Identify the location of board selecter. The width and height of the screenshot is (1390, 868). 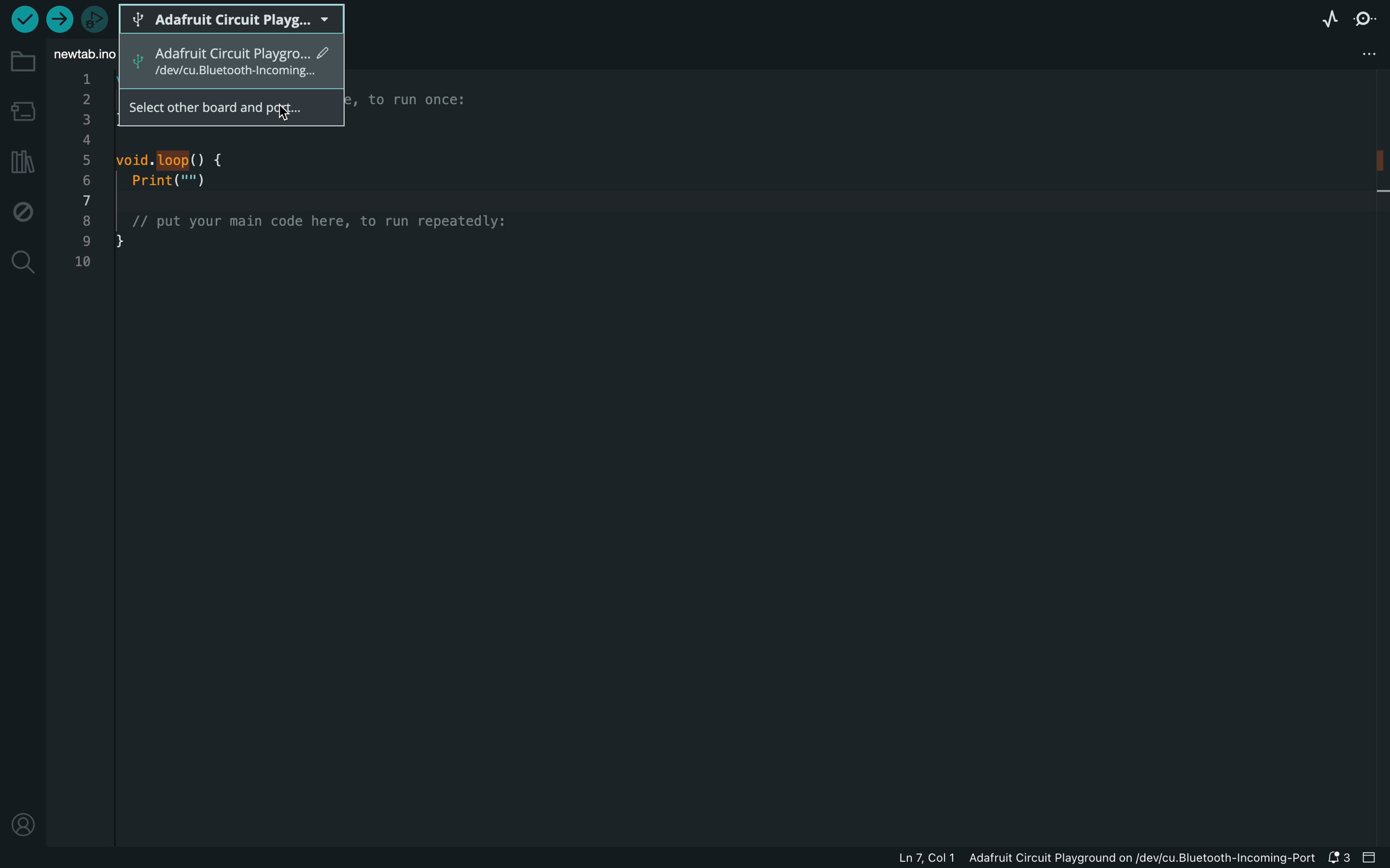
(230, 17).